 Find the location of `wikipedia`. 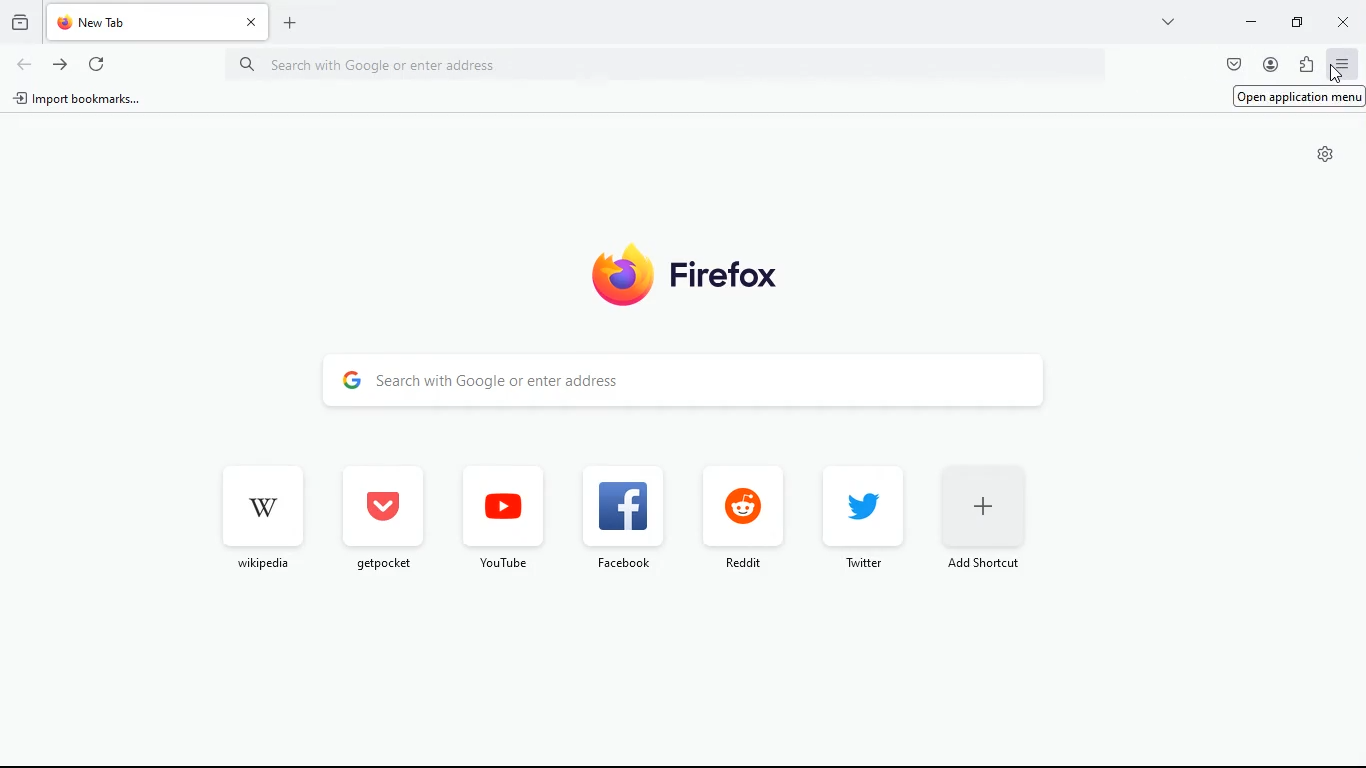

wikipedia is located at coordinates (265, 526).